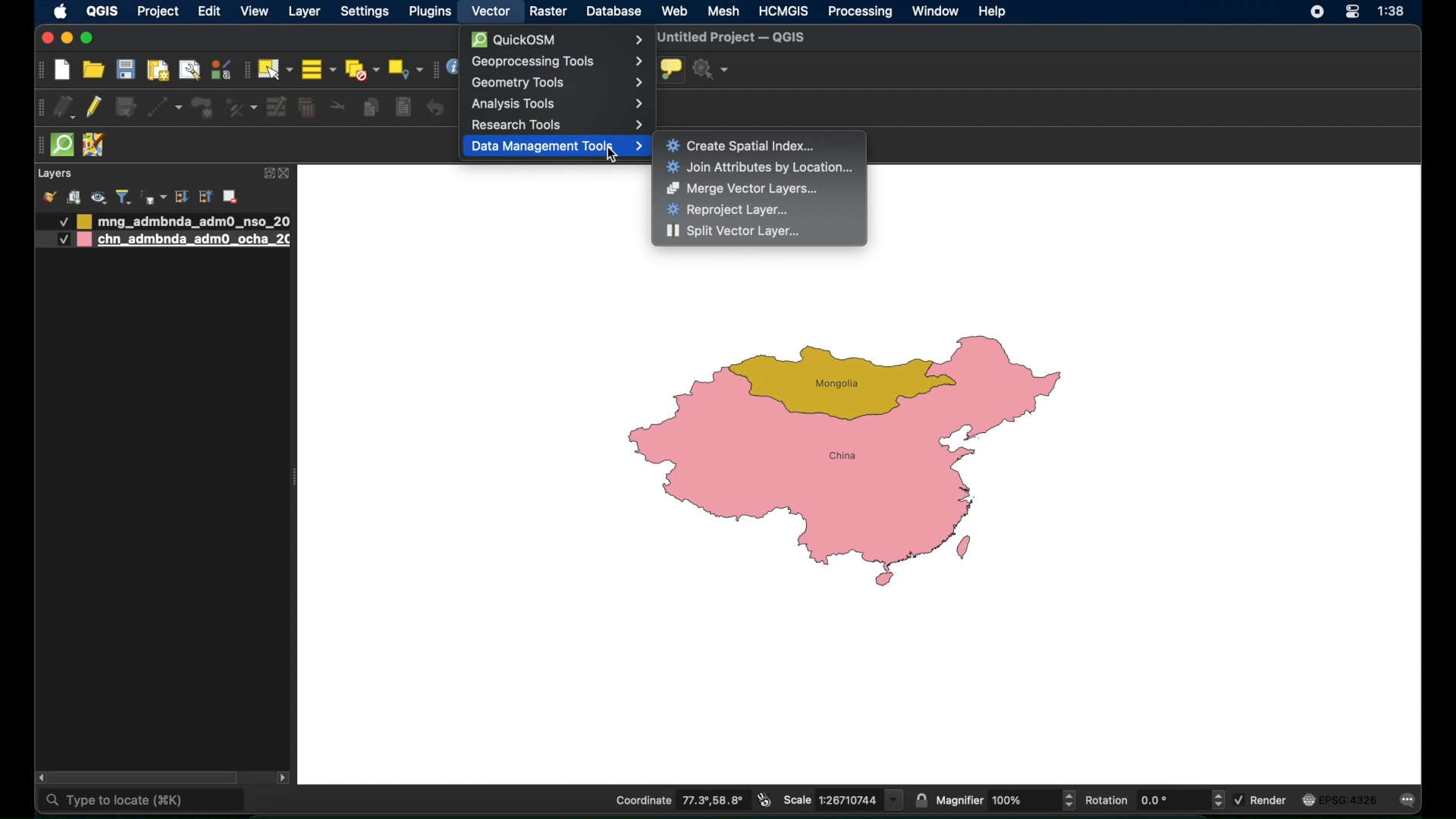 This screenshot has height=819, width=1456. Describe the element at coordinates (730, 39) in the screenshot. I see `untitled project - QGIS` at that location.